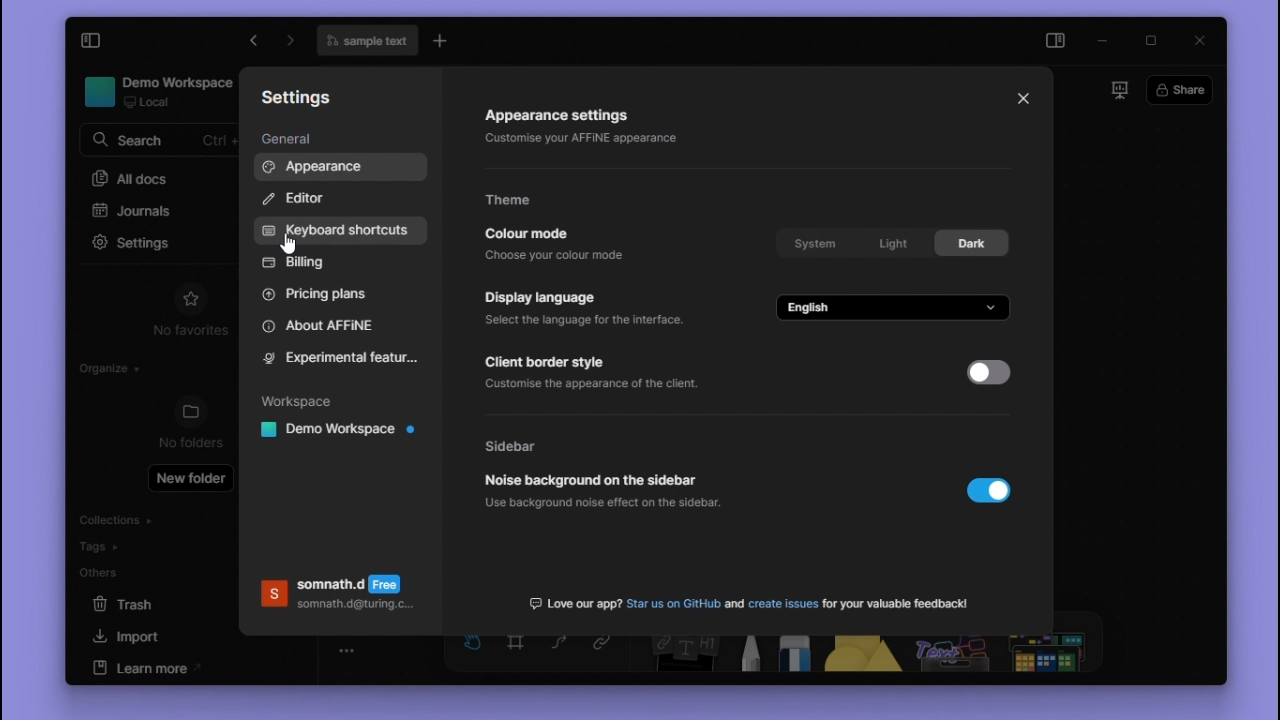 The width and height of the screenshot is (1280, 720). I want to click on serach bar, so click(160, 142).